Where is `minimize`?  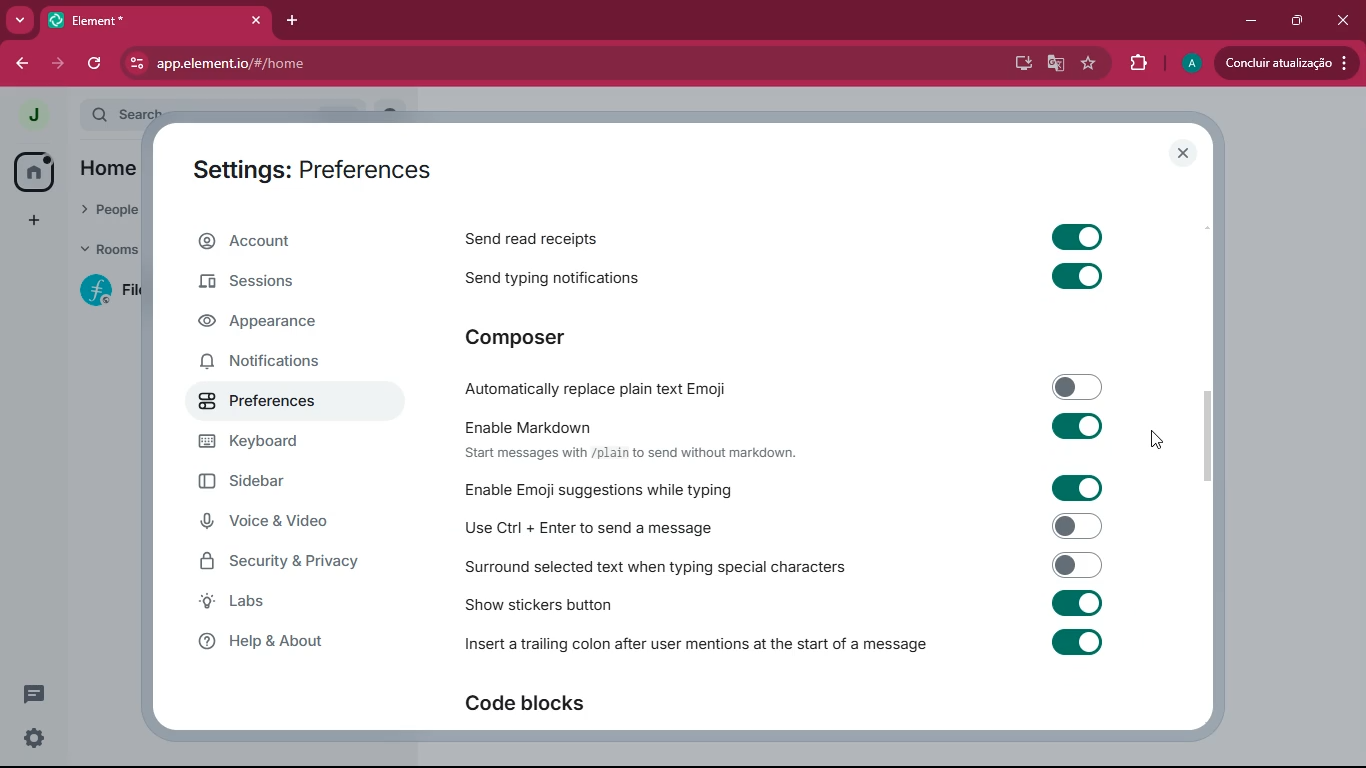 minimize is located at coordinates (1247, 21).